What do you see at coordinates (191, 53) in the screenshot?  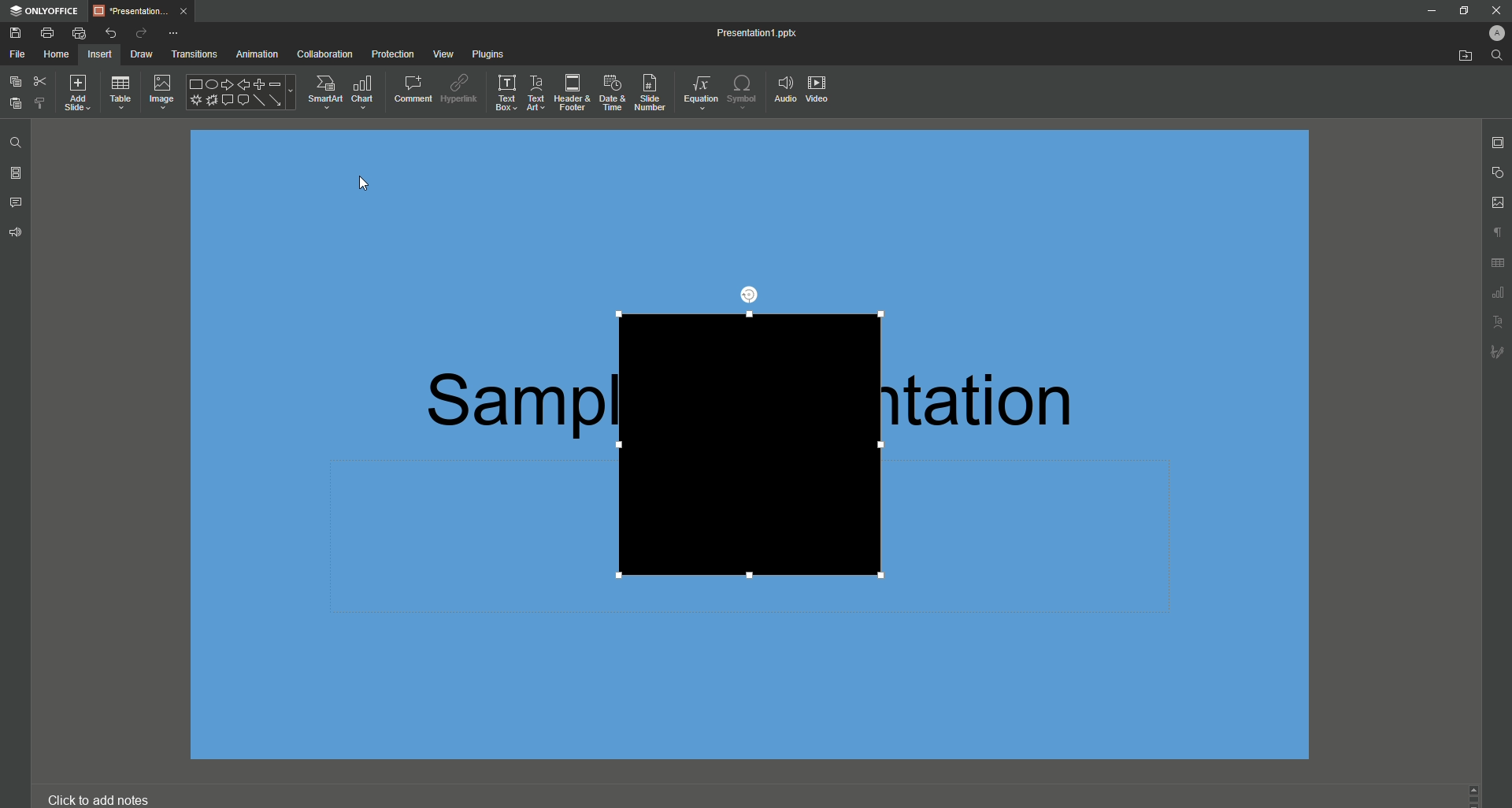 I see `Transitions` at bounding box center [191, 53].